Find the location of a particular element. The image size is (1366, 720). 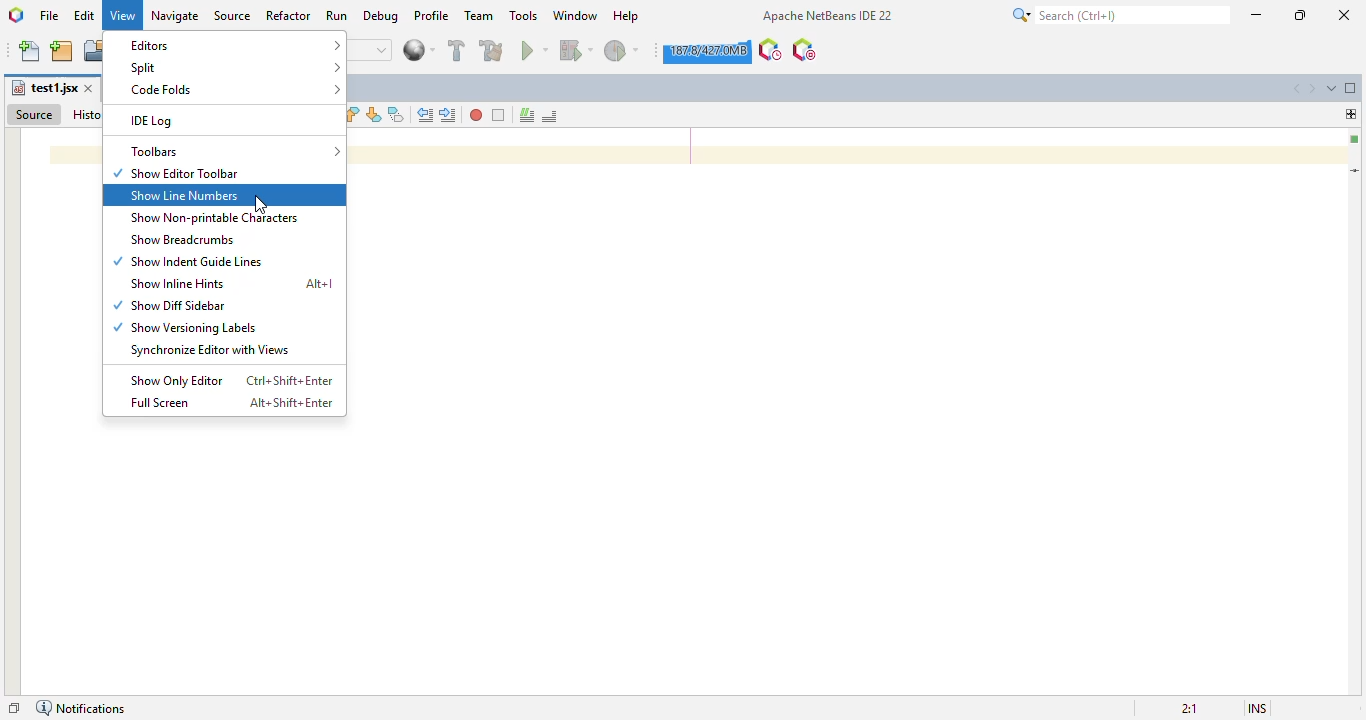

web browser is located at coordinates (419, 50).